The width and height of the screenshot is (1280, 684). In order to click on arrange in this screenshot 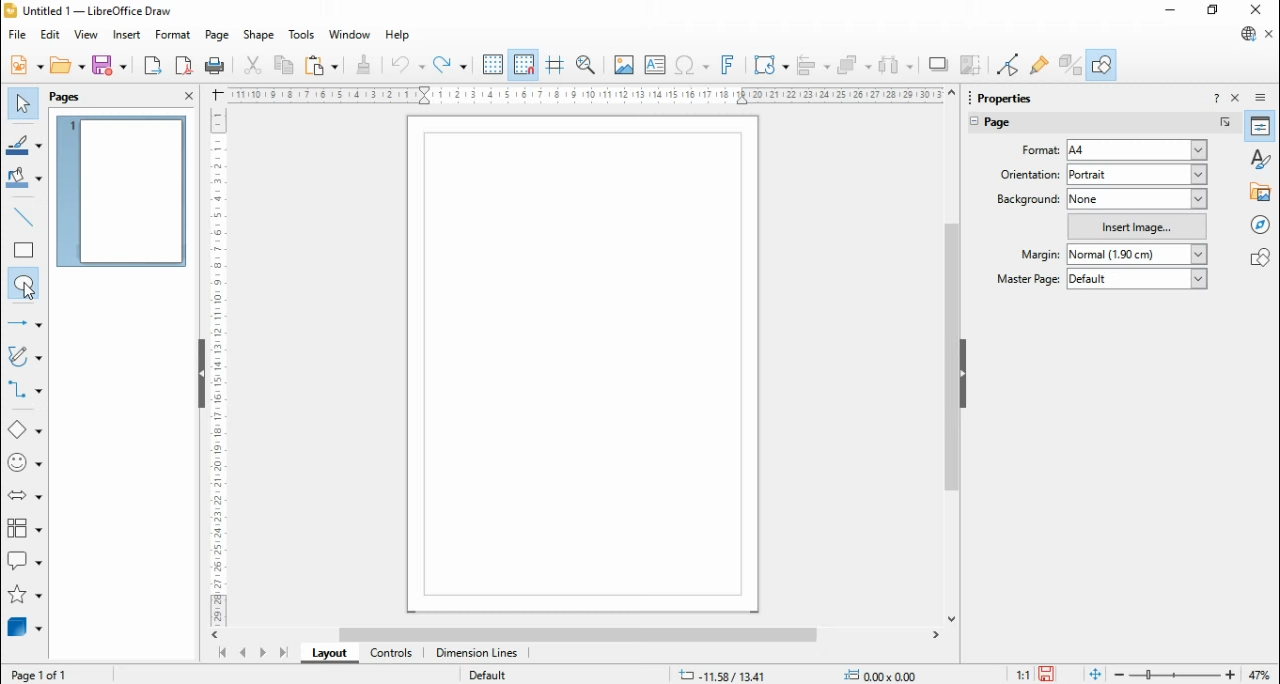, I will do `click(855, 65)`.